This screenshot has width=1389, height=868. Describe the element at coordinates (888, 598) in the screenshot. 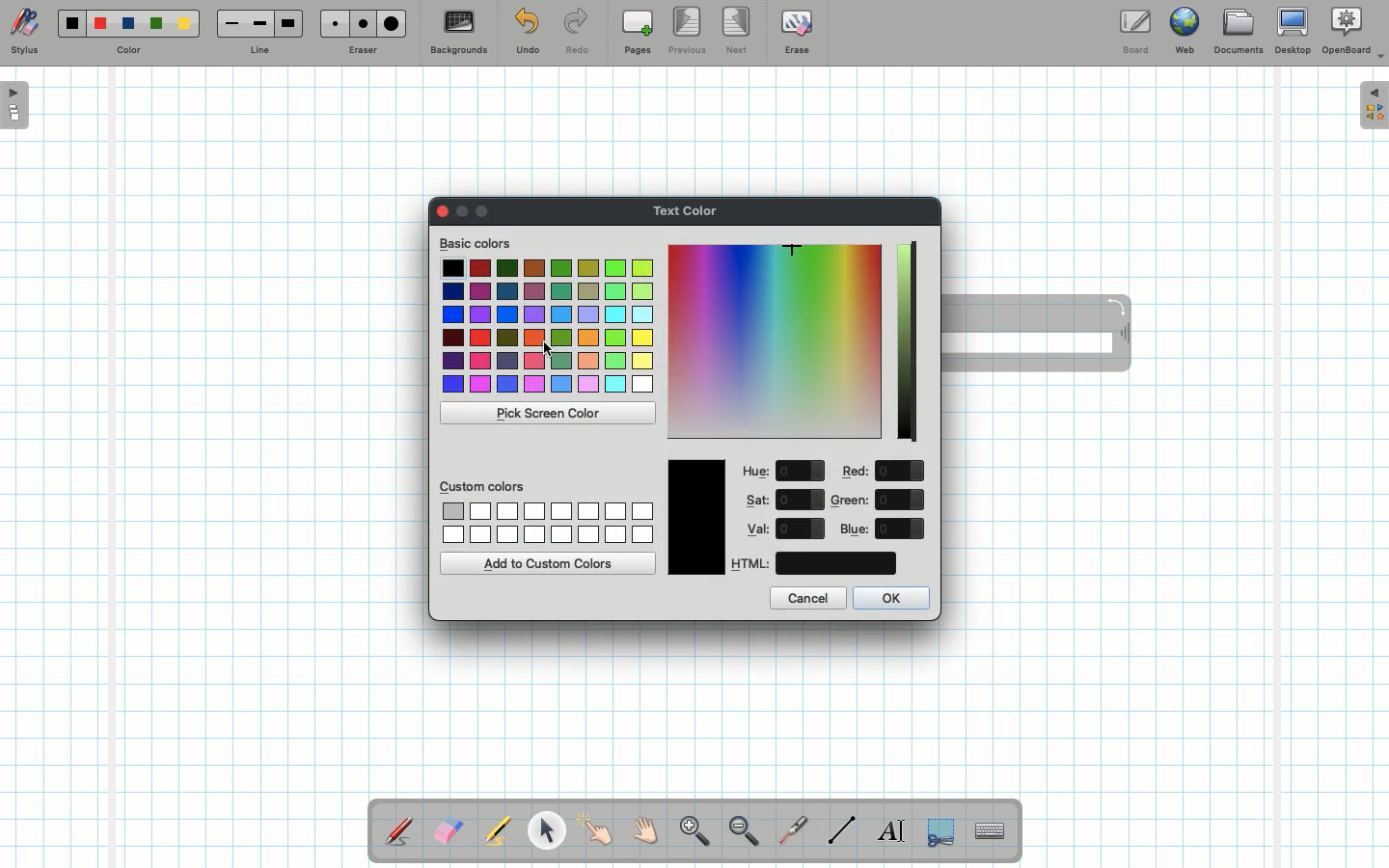

I see `OK` at that location.